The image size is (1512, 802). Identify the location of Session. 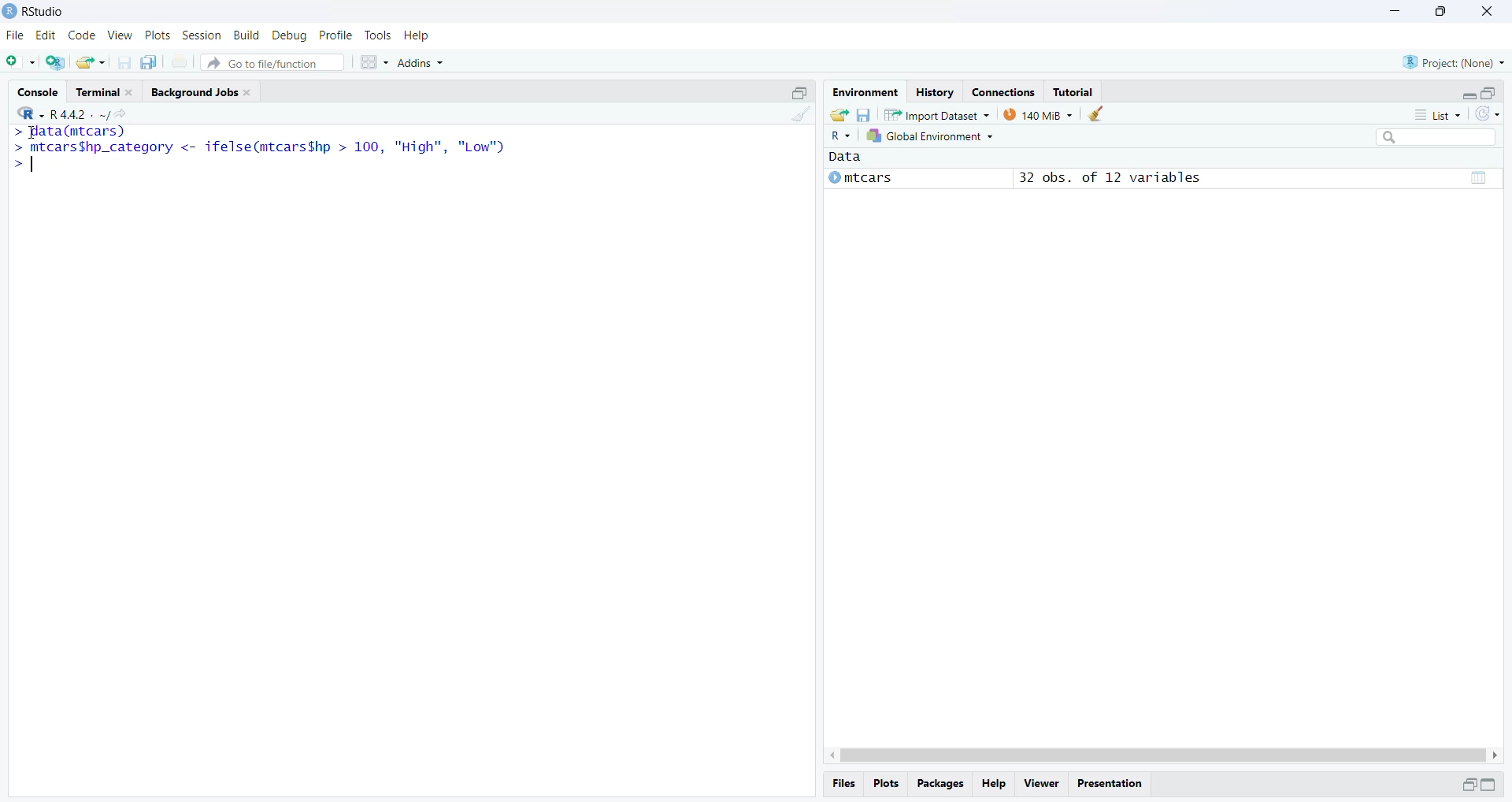
(202, 36).